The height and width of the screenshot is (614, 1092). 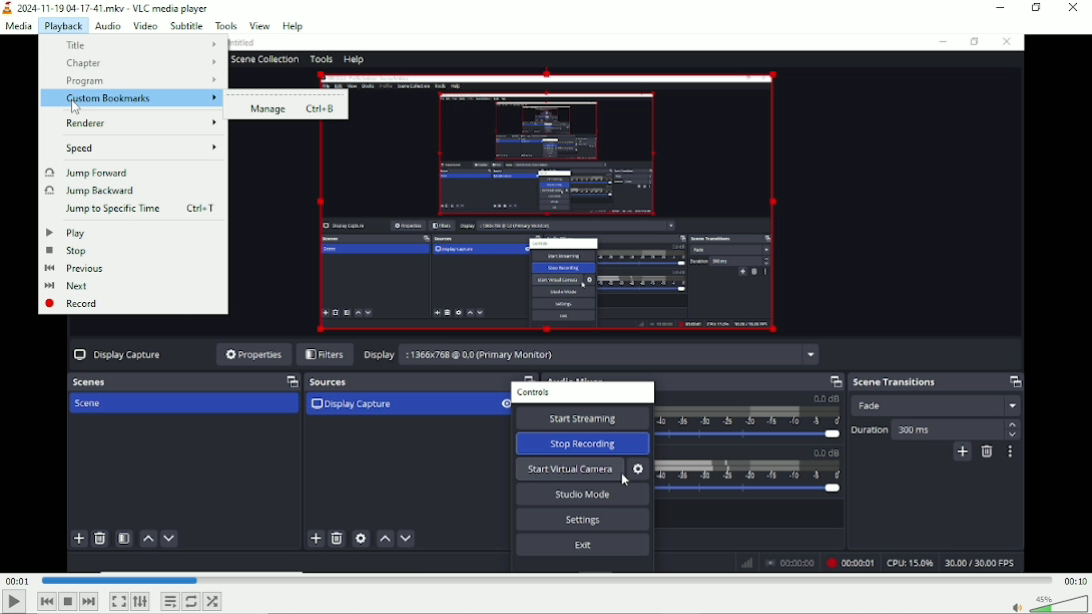 What do you see at coordinates (1048, 602) in the screenshot?
I see `Volume` at bounding box center [1048, 602].